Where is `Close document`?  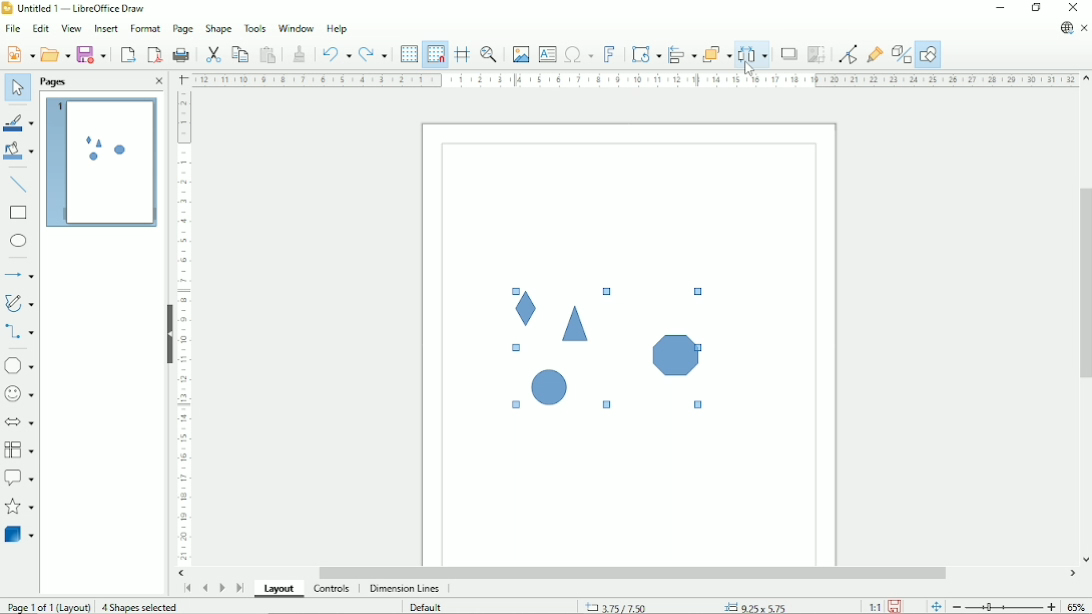 Close document is located at coordinates (1085, 29).